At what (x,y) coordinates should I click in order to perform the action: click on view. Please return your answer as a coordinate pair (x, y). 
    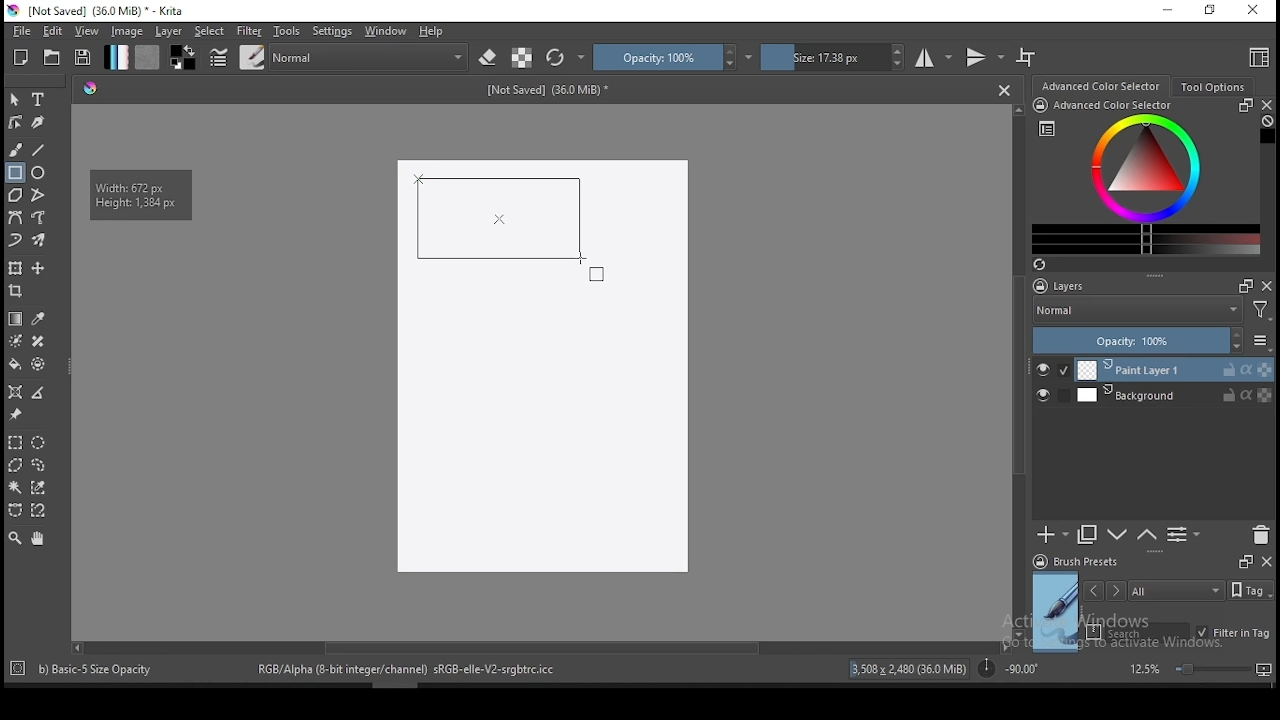
    Looking at the image, I should click on (86, 31).